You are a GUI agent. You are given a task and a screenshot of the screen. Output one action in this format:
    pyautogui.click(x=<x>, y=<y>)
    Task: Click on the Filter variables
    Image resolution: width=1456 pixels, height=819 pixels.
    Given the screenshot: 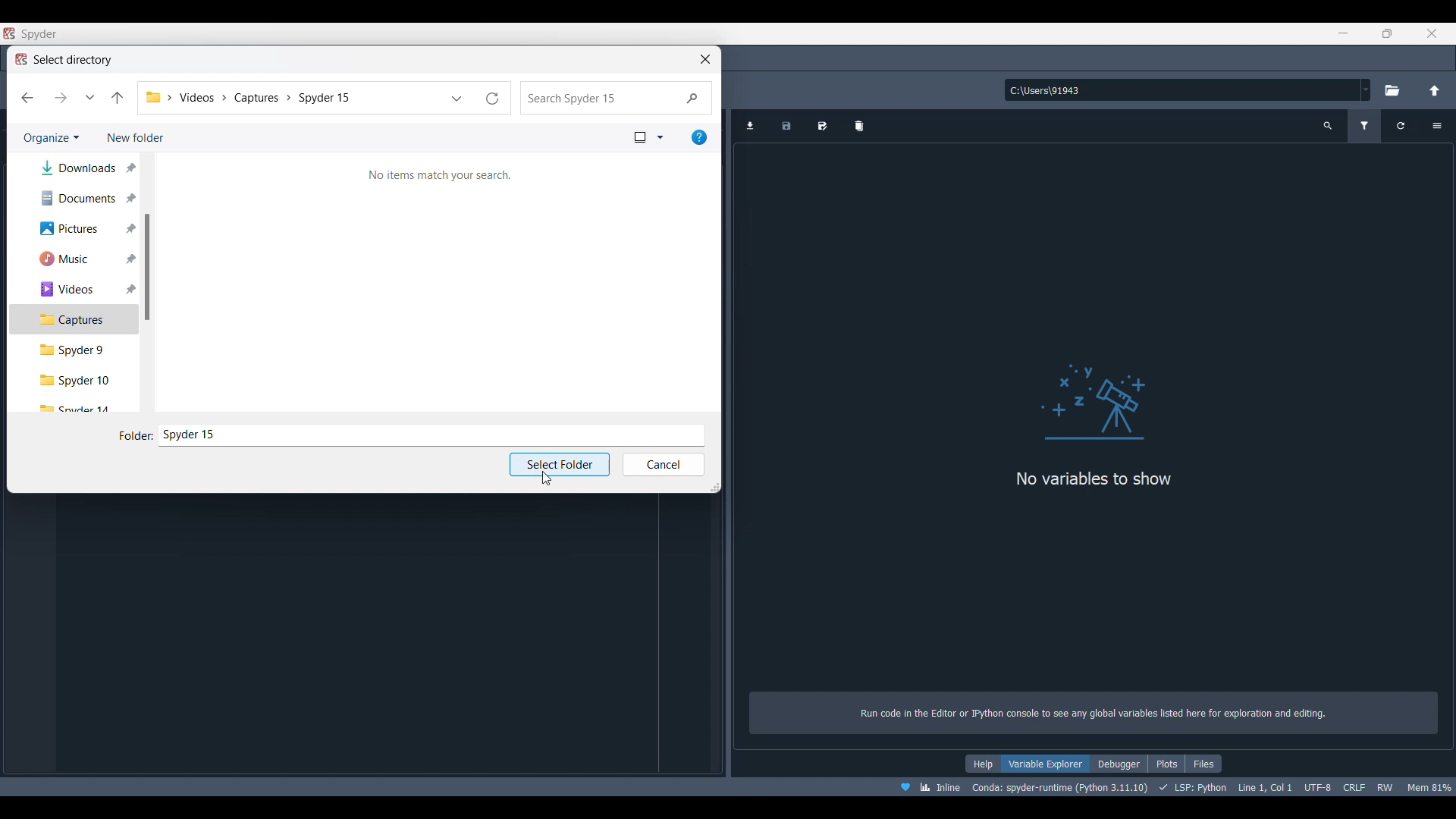 What is the action you would take?
    pyautogui.click(x=1365, y=126)
    